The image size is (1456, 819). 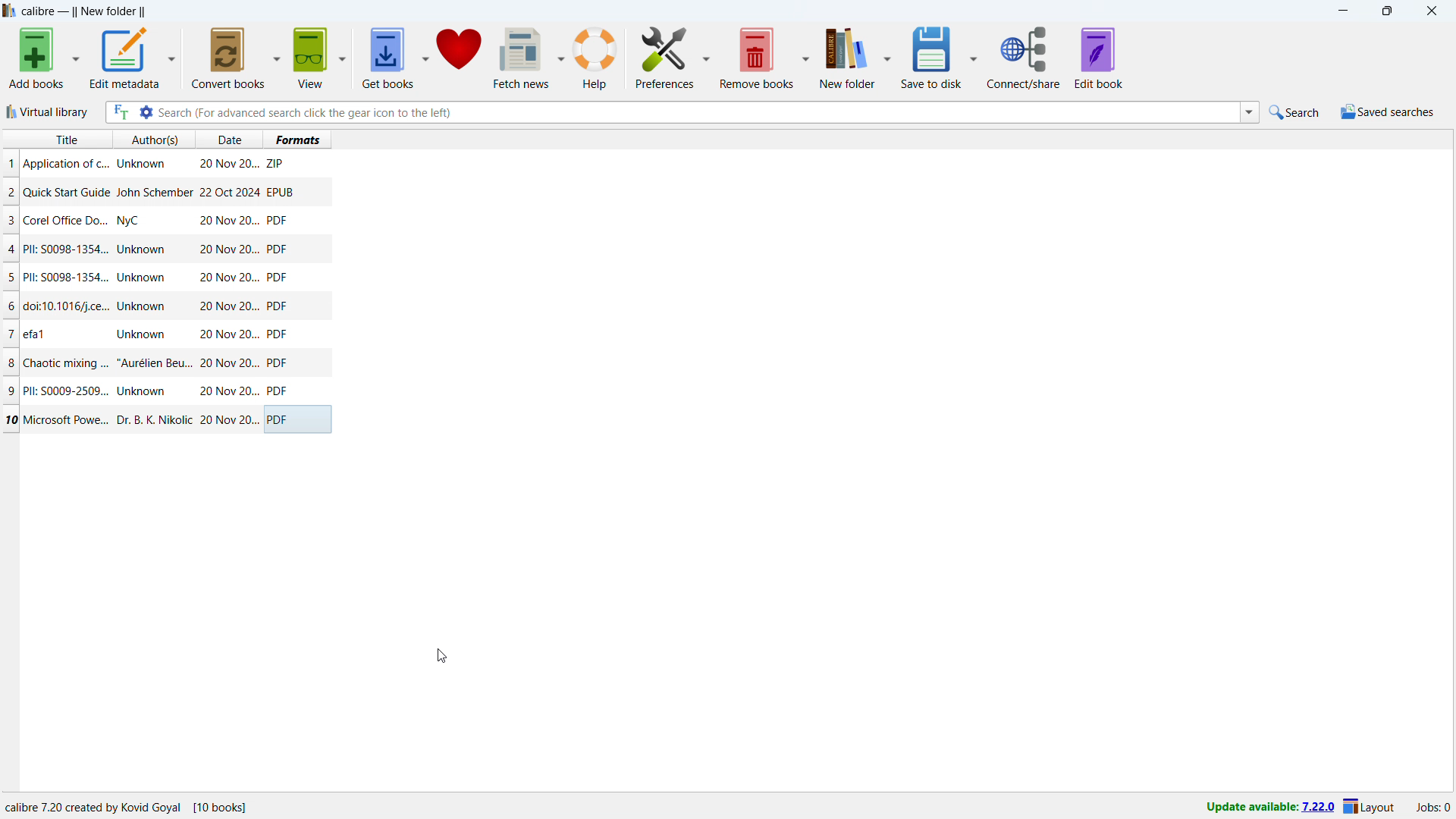 I want to click on 5, so click(x=10, y=279).